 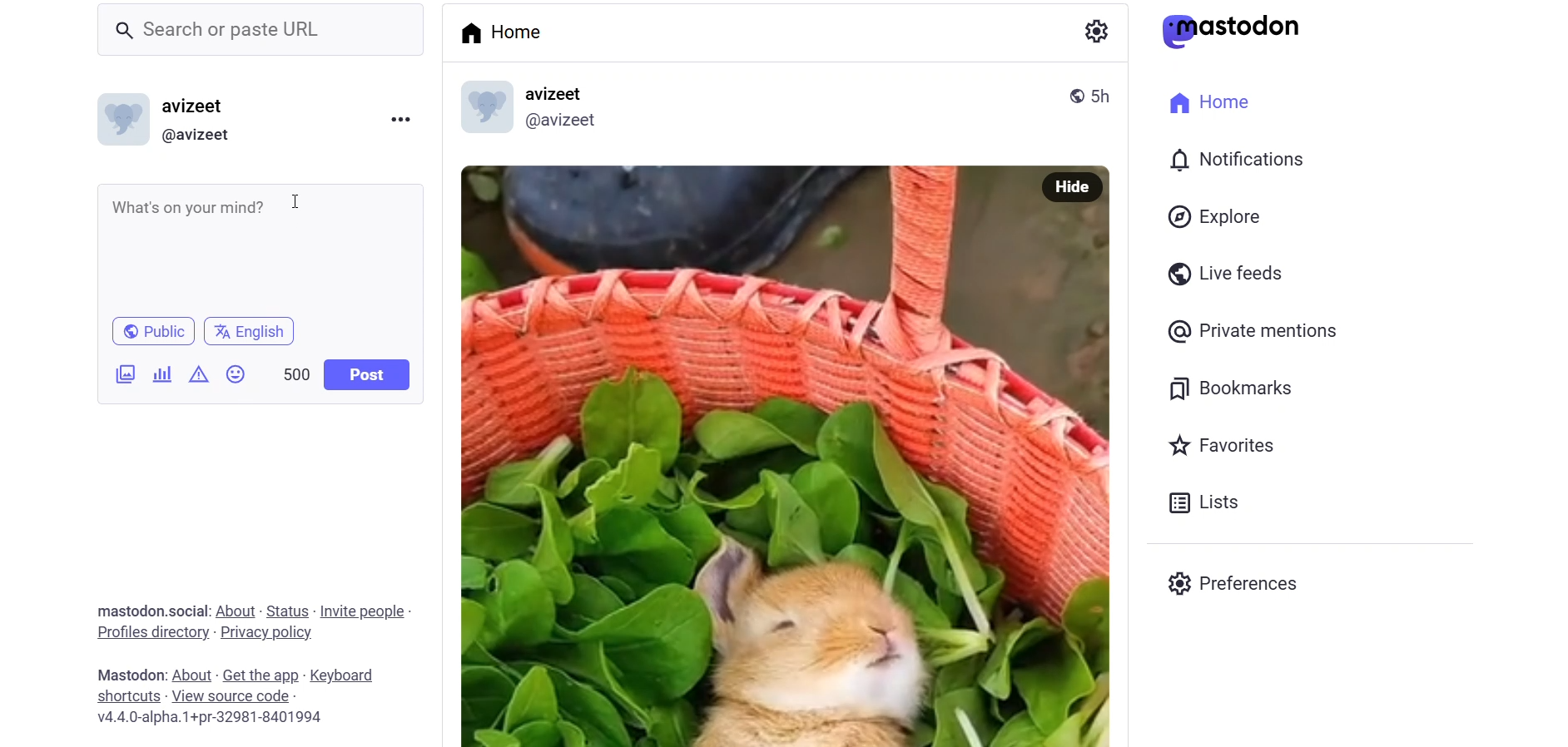 I want to click on social, so click(x=188, y=611).